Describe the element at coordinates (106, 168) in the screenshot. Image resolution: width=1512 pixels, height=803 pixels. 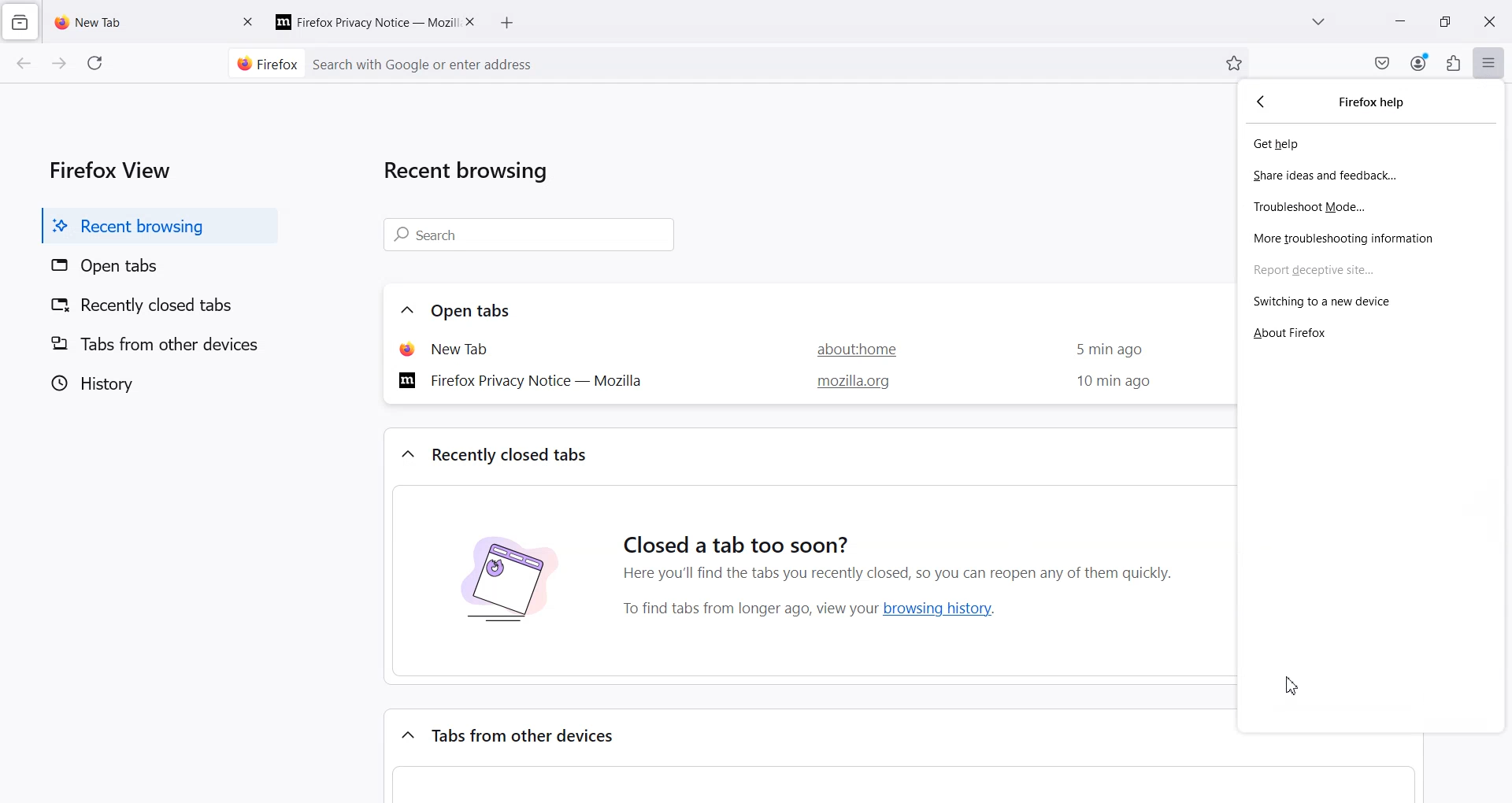
I see `Firefox View` at that location.